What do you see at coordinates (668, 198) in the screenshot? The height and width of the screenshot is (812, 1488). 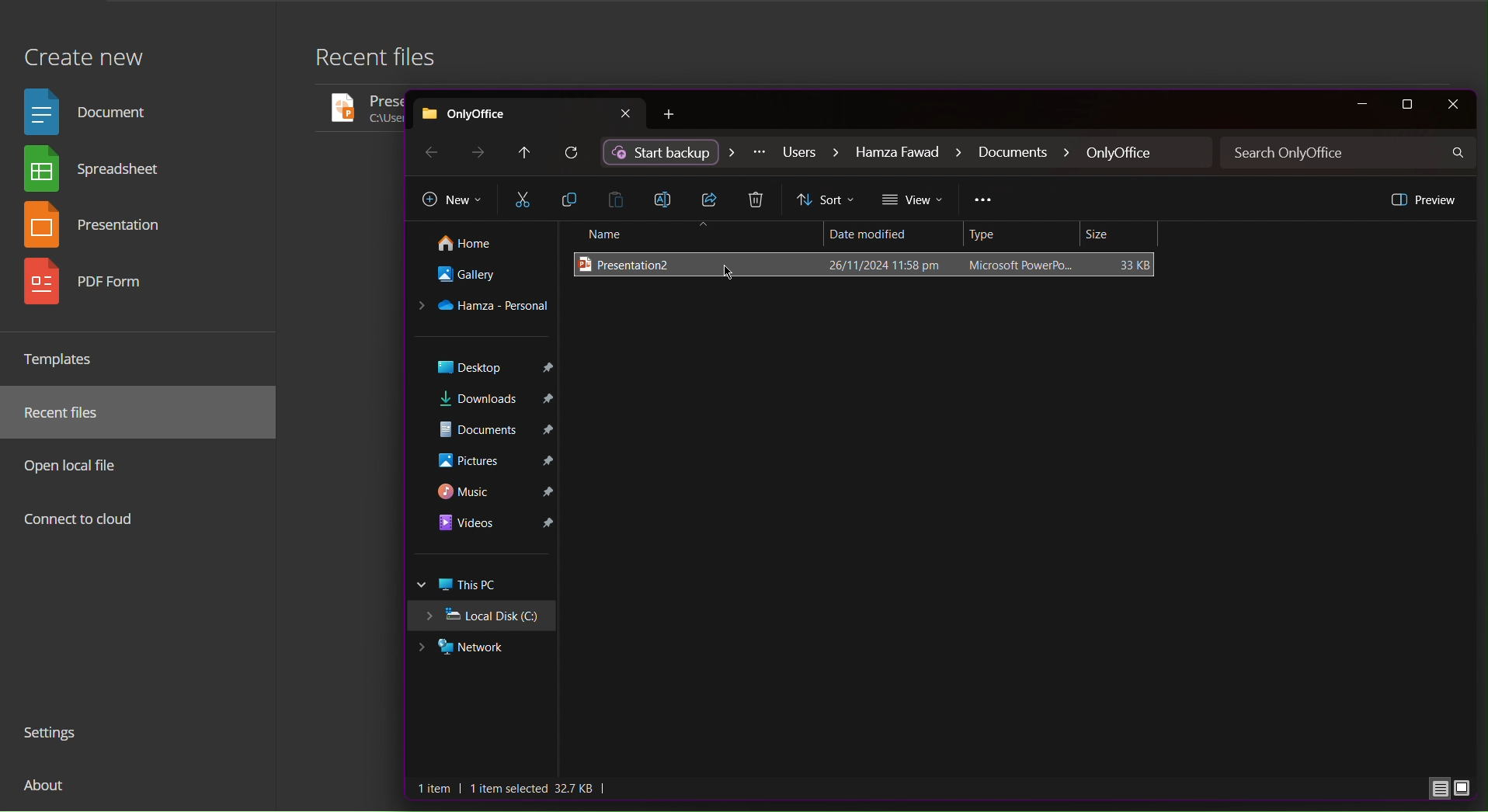 I see `Rename` at bounding box center [668, 198].